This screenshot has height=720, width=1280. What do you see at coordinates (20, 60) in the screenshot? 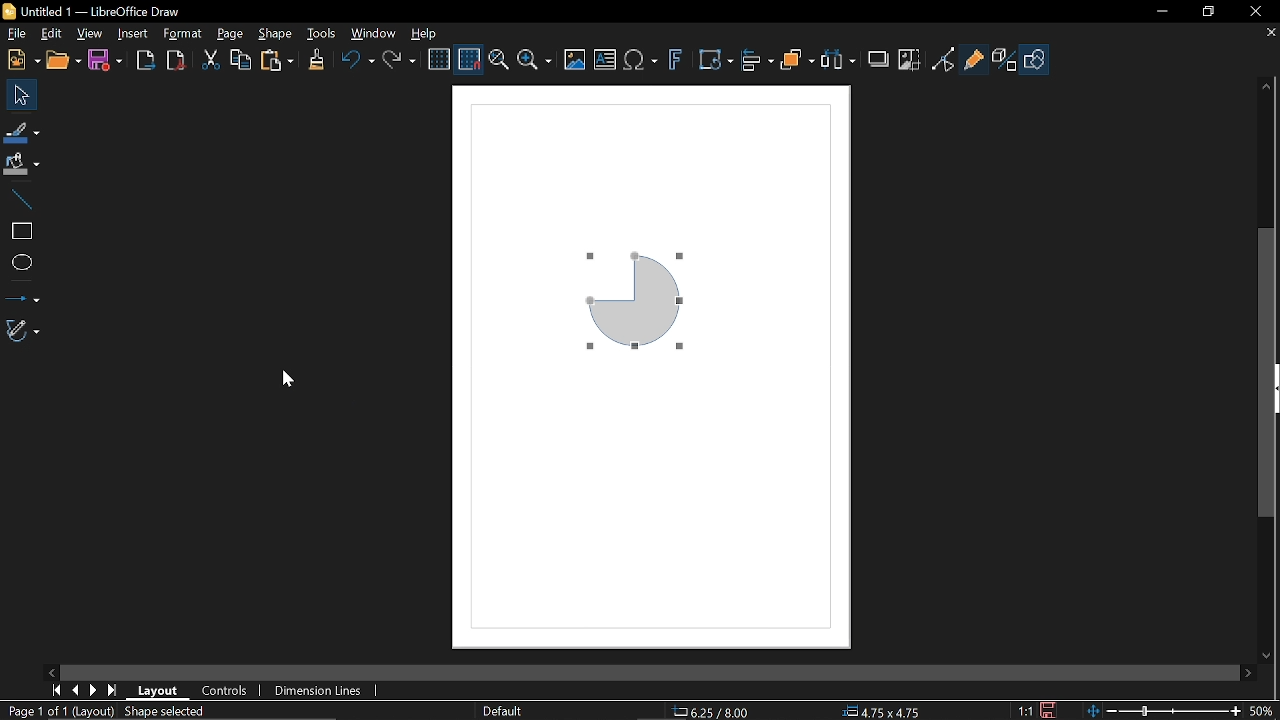
I see `new` at bounding box center [20, 60].